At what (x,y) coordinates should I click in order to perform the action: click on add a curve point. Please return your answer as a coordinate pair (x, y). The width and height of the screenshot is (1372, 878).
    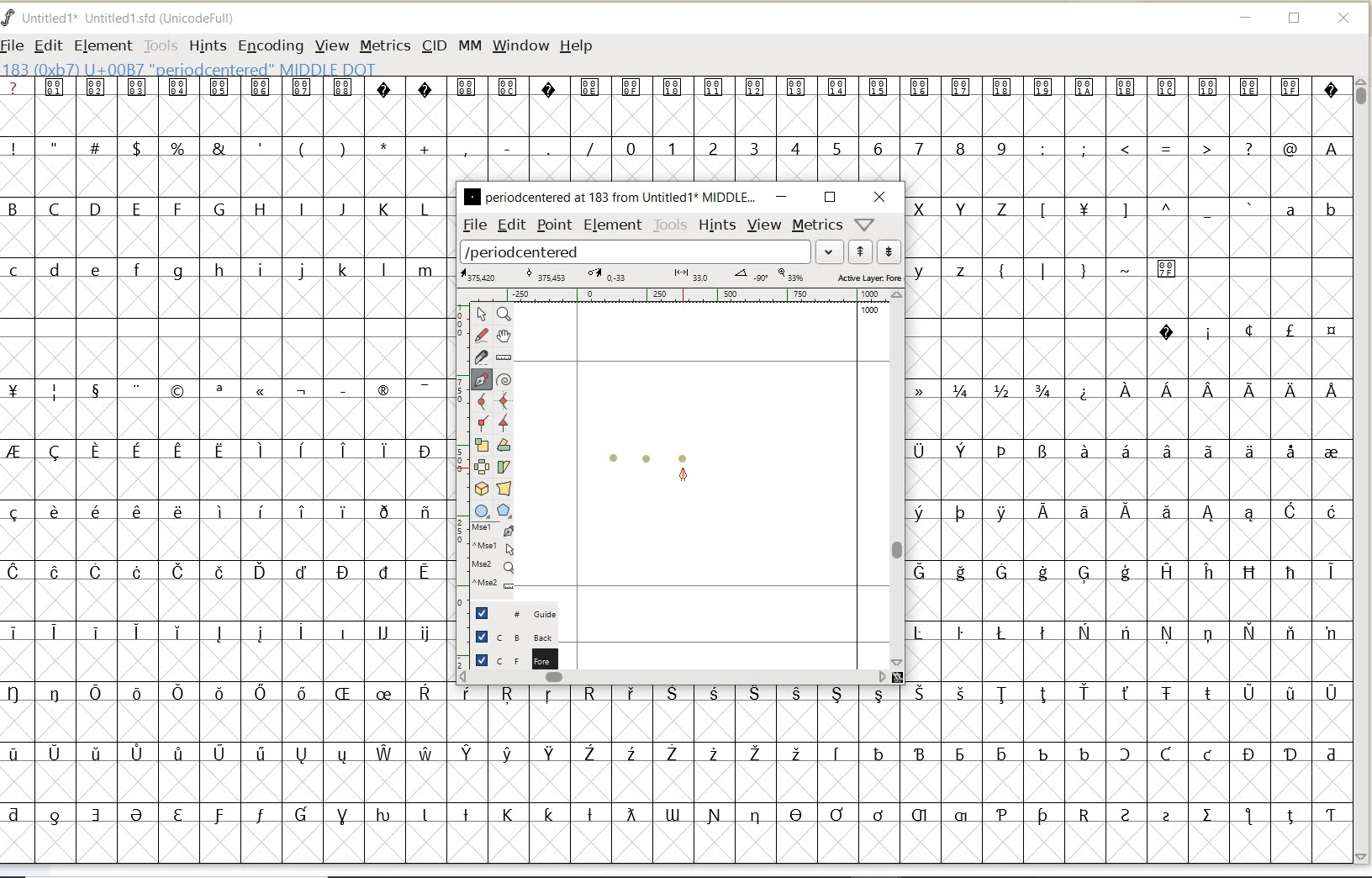
    Looking at the image, I should click on (483, 399).